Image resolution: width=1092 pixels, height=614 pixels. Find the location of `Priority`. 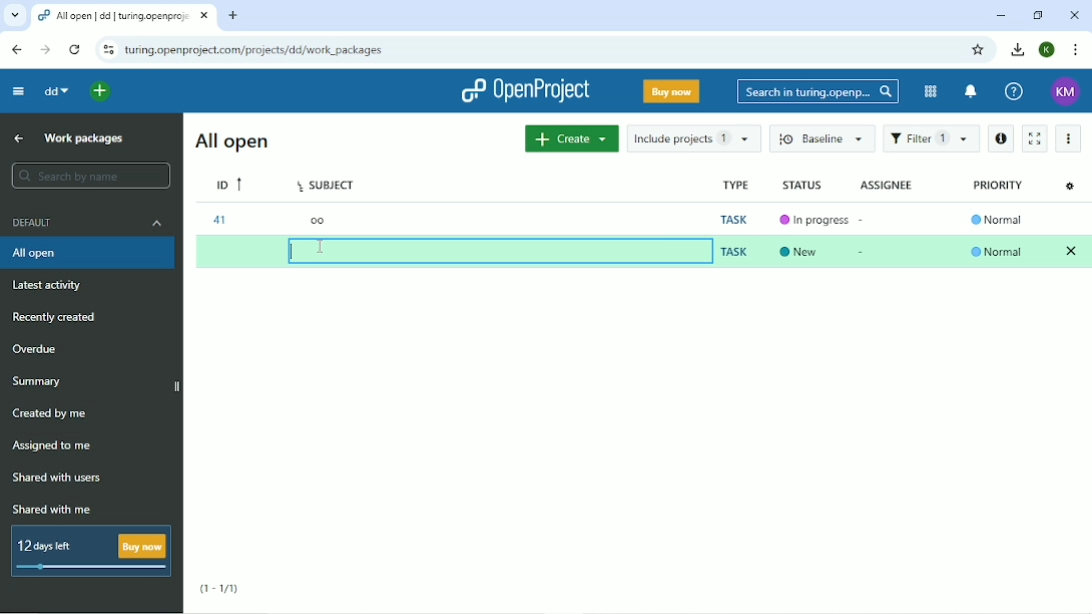

Priority is located at coordinates (999, 185).